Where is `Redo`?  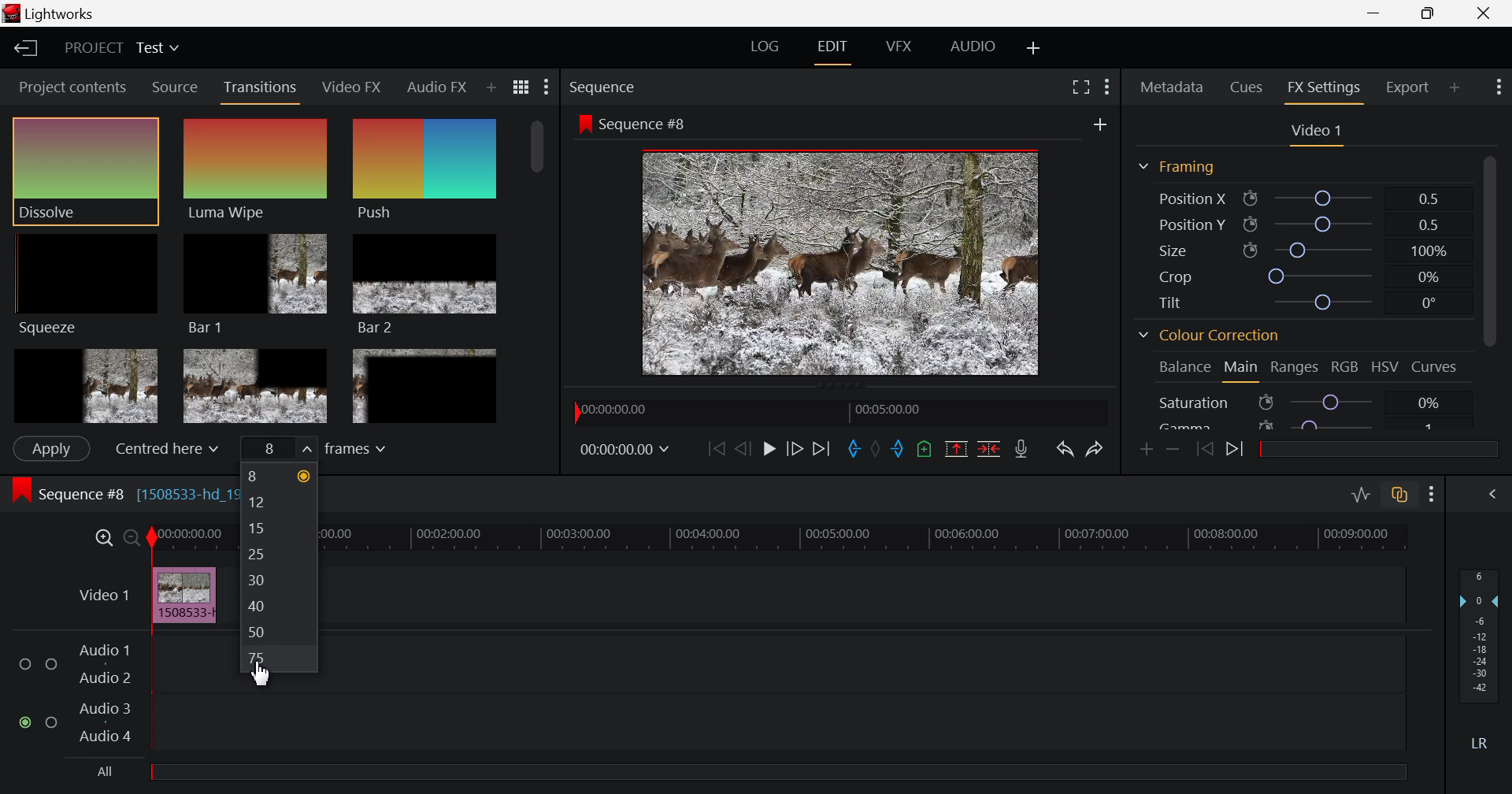
Redo is located at coordinates (1095, 448).